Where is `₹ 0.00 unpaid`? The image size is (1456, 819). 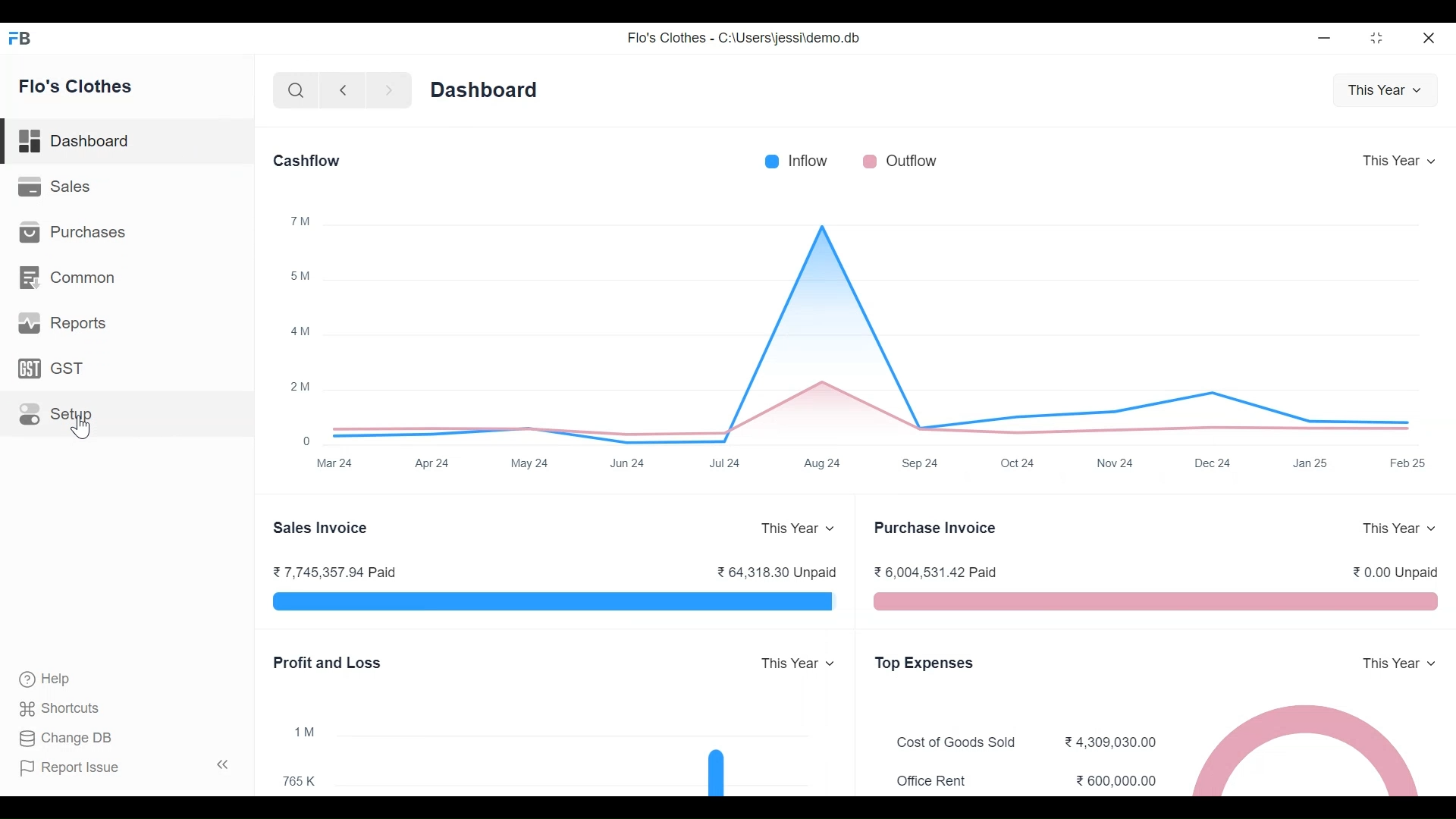 ₹ 0.00 unpaid is located at coordinates (1395, 572).